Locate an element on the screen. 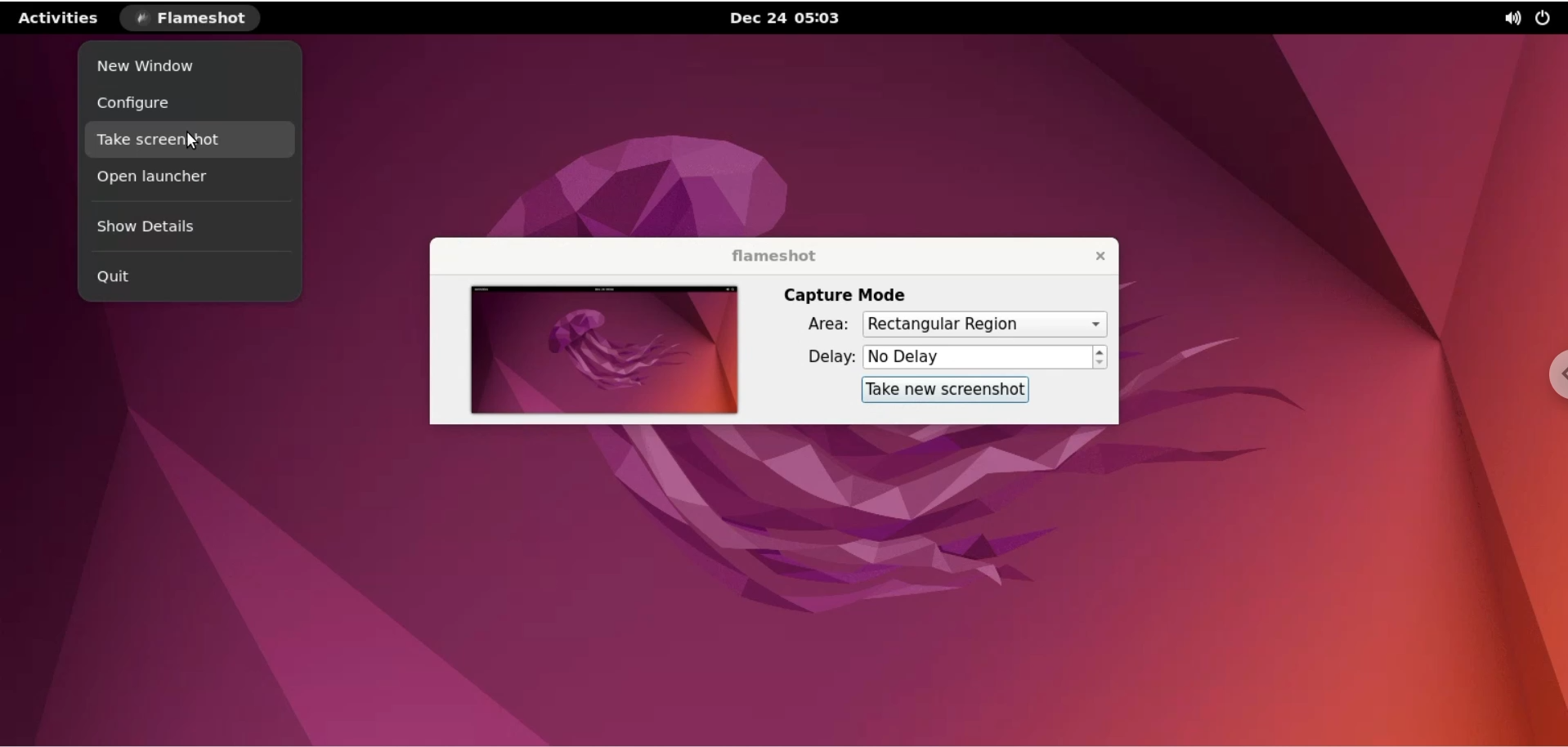 This screenshot has height=747, width=1568. flameshot  is located at coordinates (772, 259).